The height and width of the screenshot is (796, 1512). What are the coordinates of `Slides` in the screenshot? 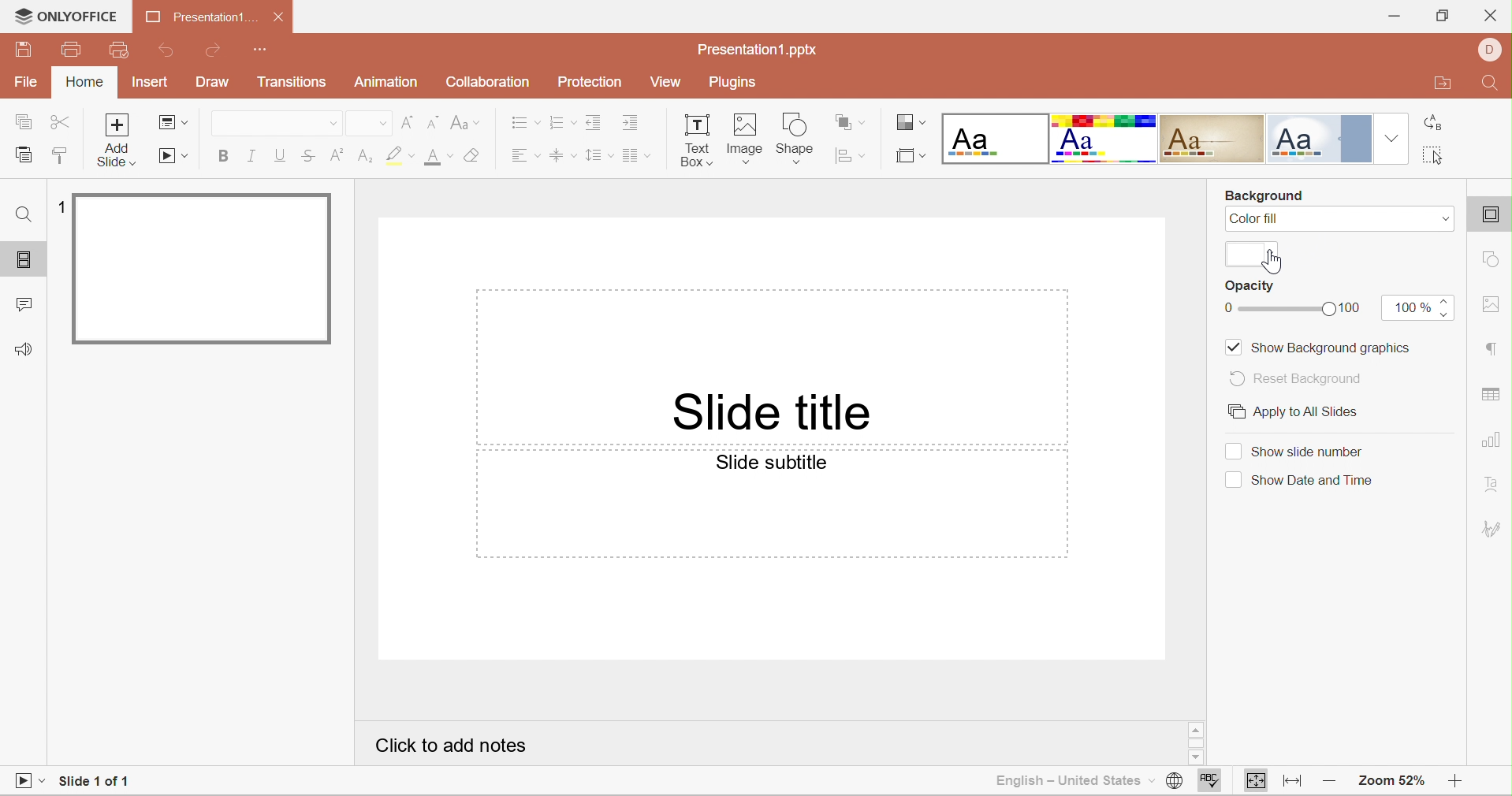 It's located at (24, 260).